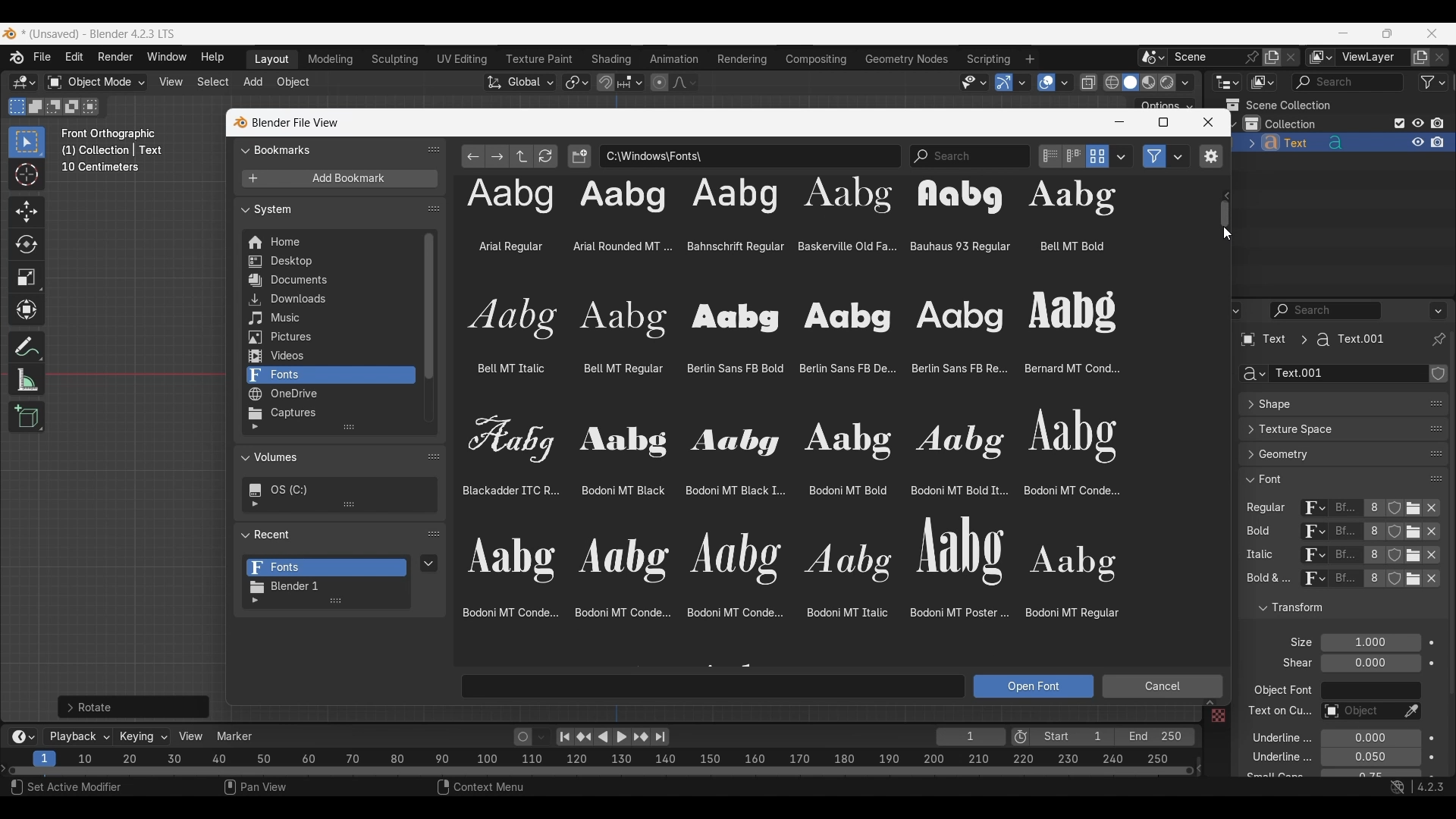  I want to click on Disable in renders, so click(1437, 123).